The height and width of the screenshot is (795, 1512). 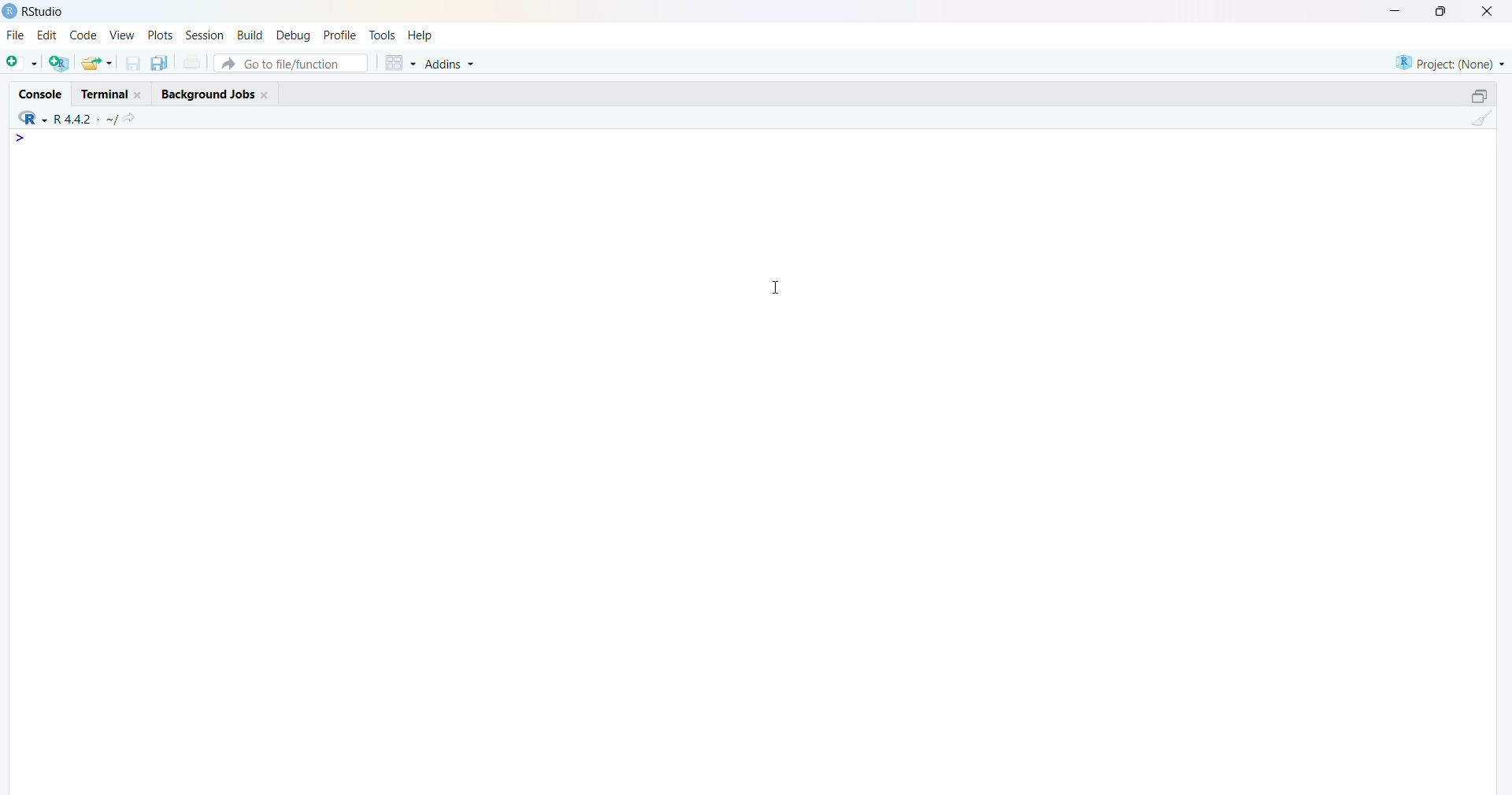 What do you see at coordinates (42, 94) in the screenshot?
I see `console` at bounding box center [42, 94].